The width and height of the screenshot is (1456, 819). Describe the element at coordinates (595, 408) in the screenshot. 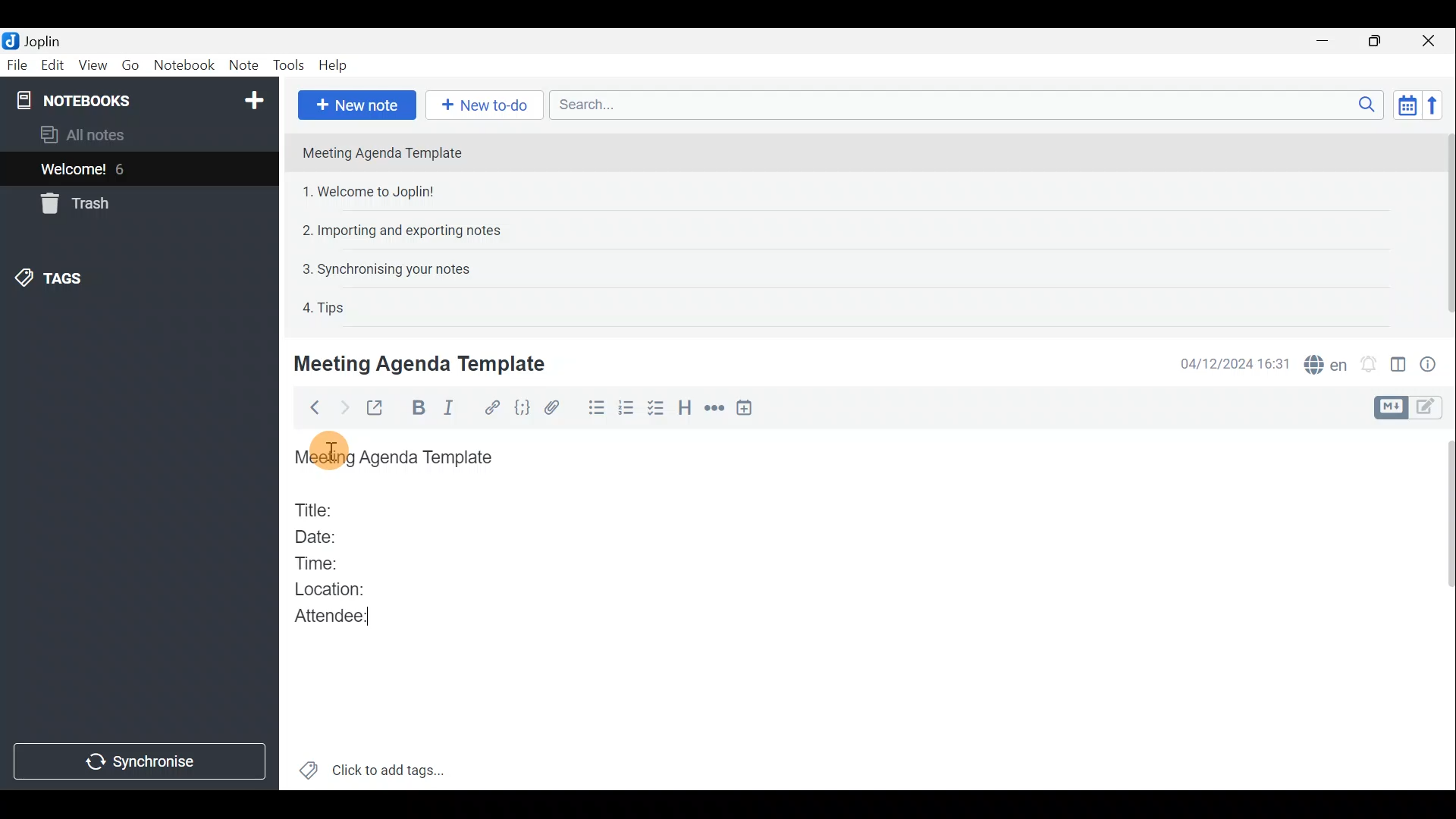

I see `Bulleted list` at that location.